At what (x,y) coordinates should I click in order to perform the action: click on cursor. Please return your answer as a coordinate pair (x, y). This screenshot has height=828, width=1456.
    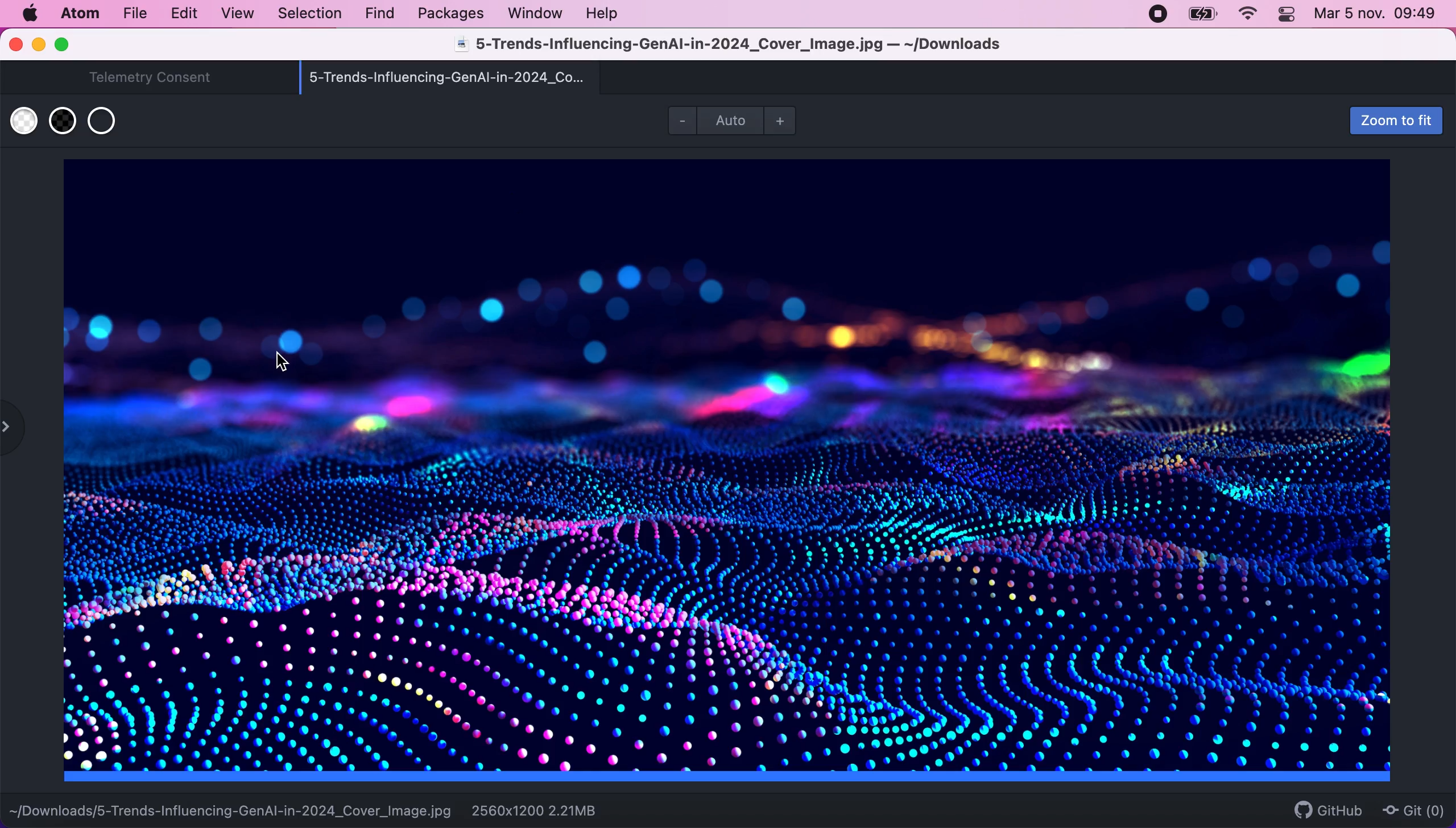
    Looking at the image, I should click on (289, 361).